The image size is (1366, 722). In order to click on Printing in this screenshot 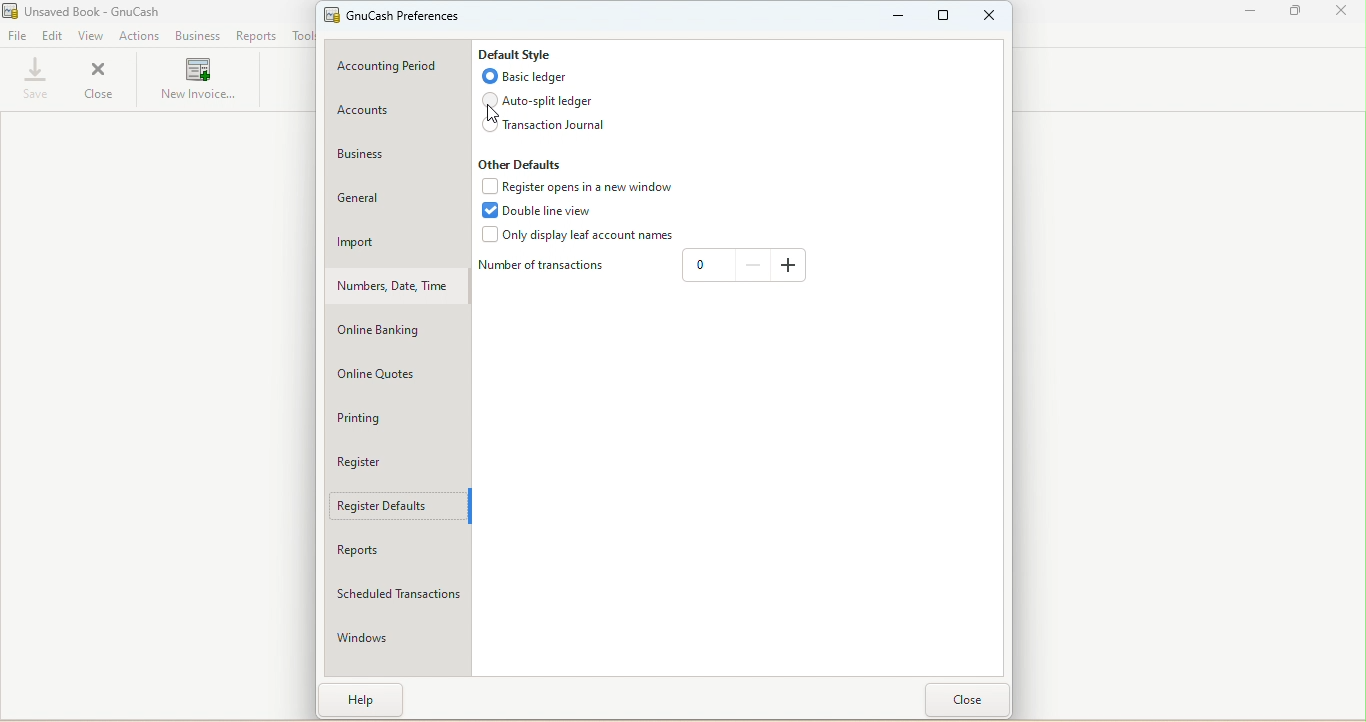, I will do `click(398, 419)`.